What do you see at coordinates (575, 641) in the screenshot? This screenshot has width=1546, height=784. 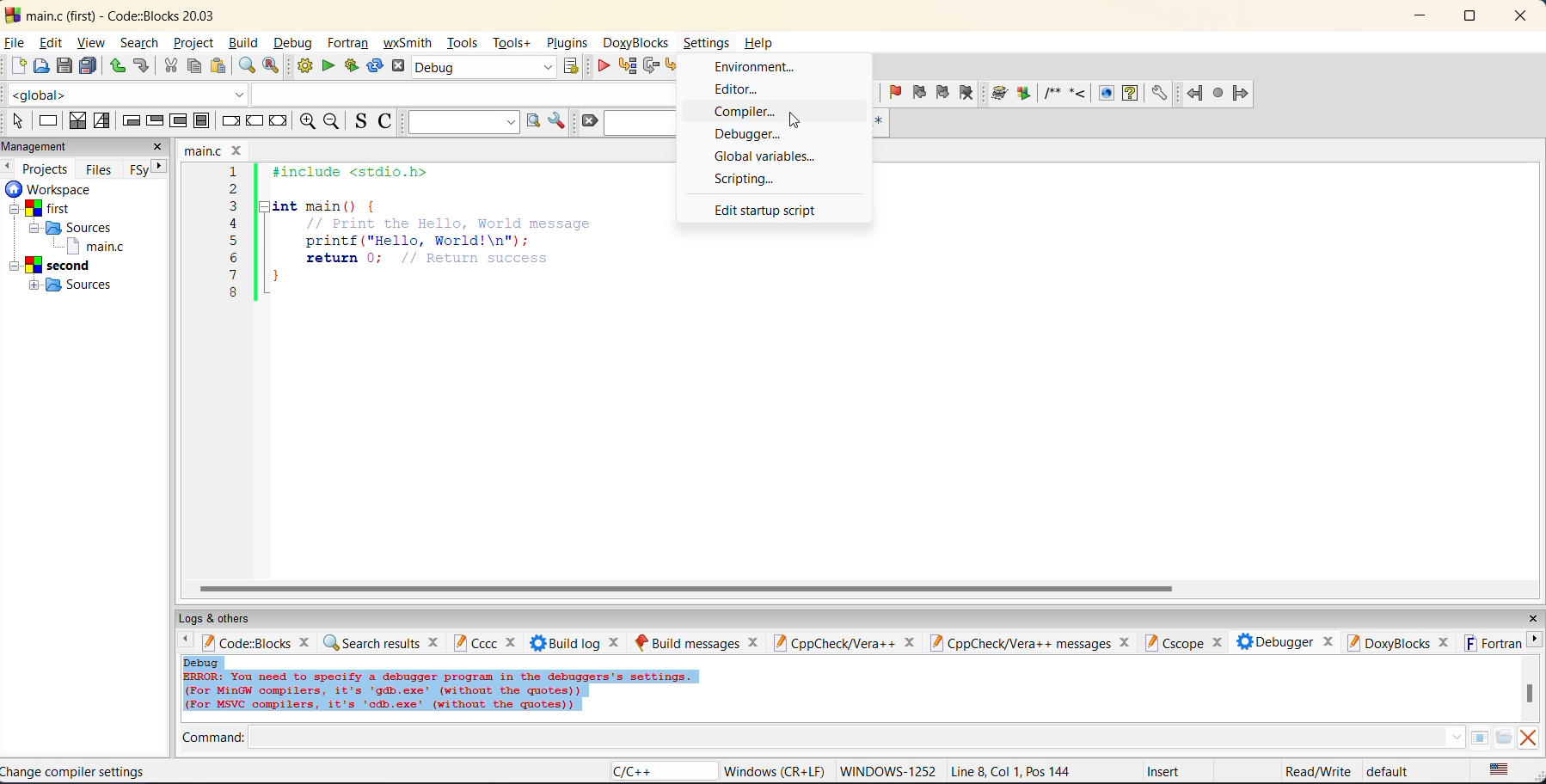 I see `build log` at bounding box center [575, 641].